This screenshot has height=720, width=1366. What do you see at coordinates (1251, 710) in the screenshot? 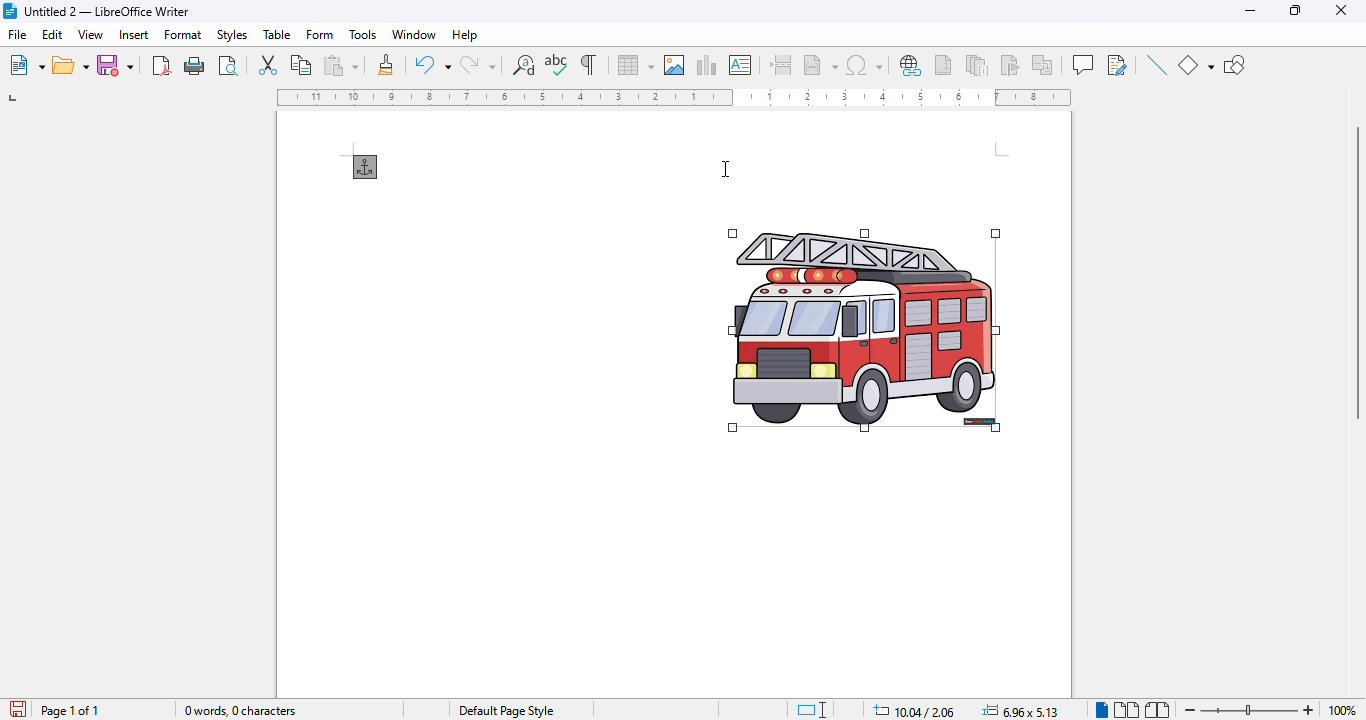
I see `zoom slider` at bounding box center [1251, 710].